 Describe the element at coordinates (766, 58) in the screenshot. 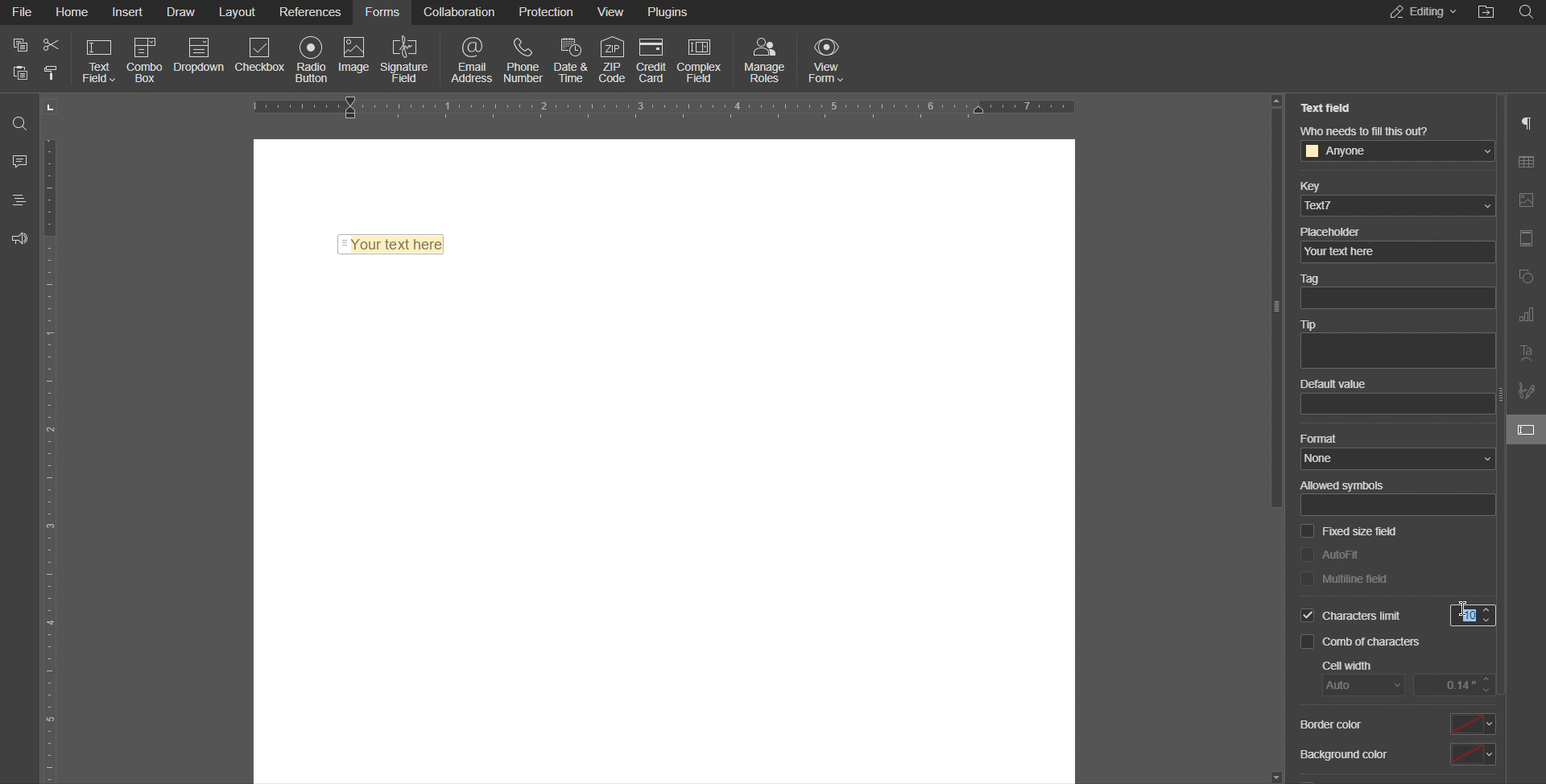

I see `Manage Rules` at that location.